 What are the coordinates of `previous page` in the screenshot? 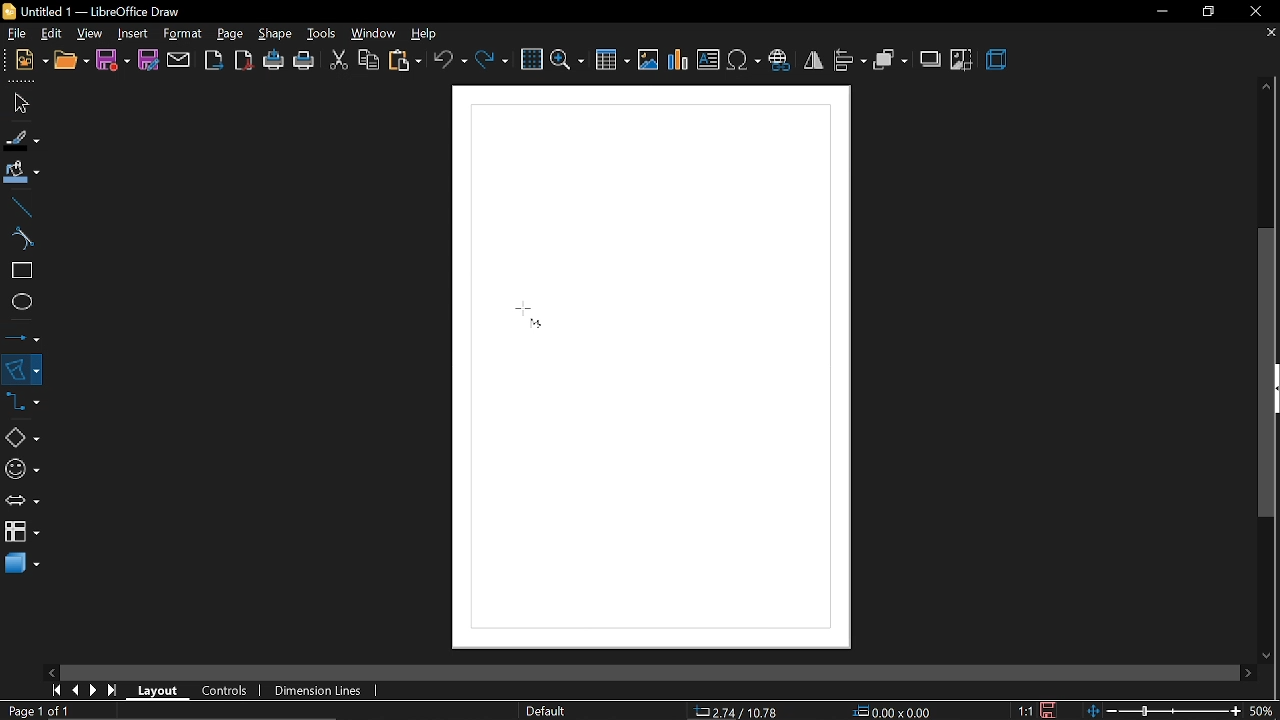 It's located at (77, 689).